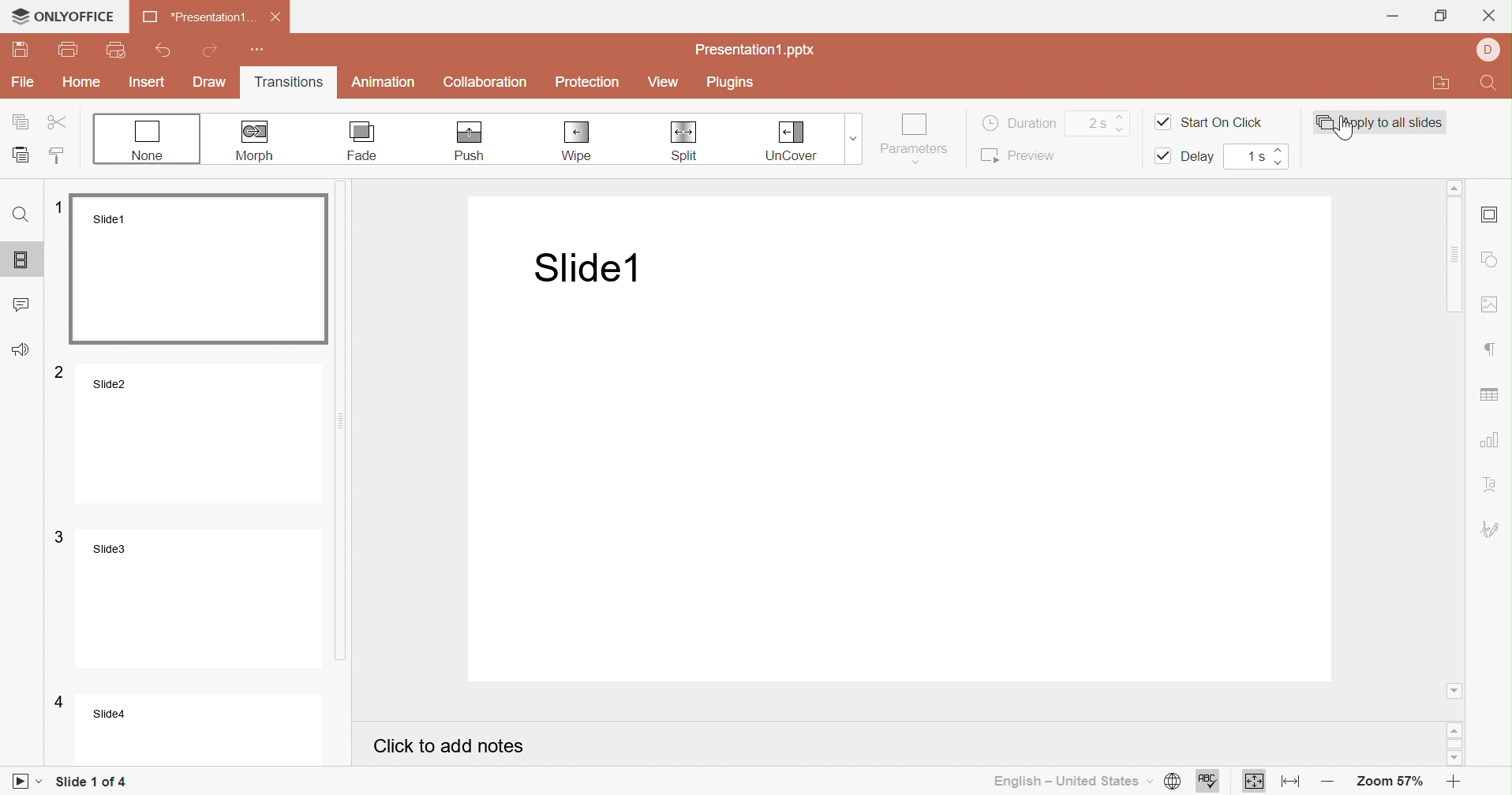 The height and width of the screenshot is (795, 1512). I want to click on ONLYOFFICE, so click(61, 13).